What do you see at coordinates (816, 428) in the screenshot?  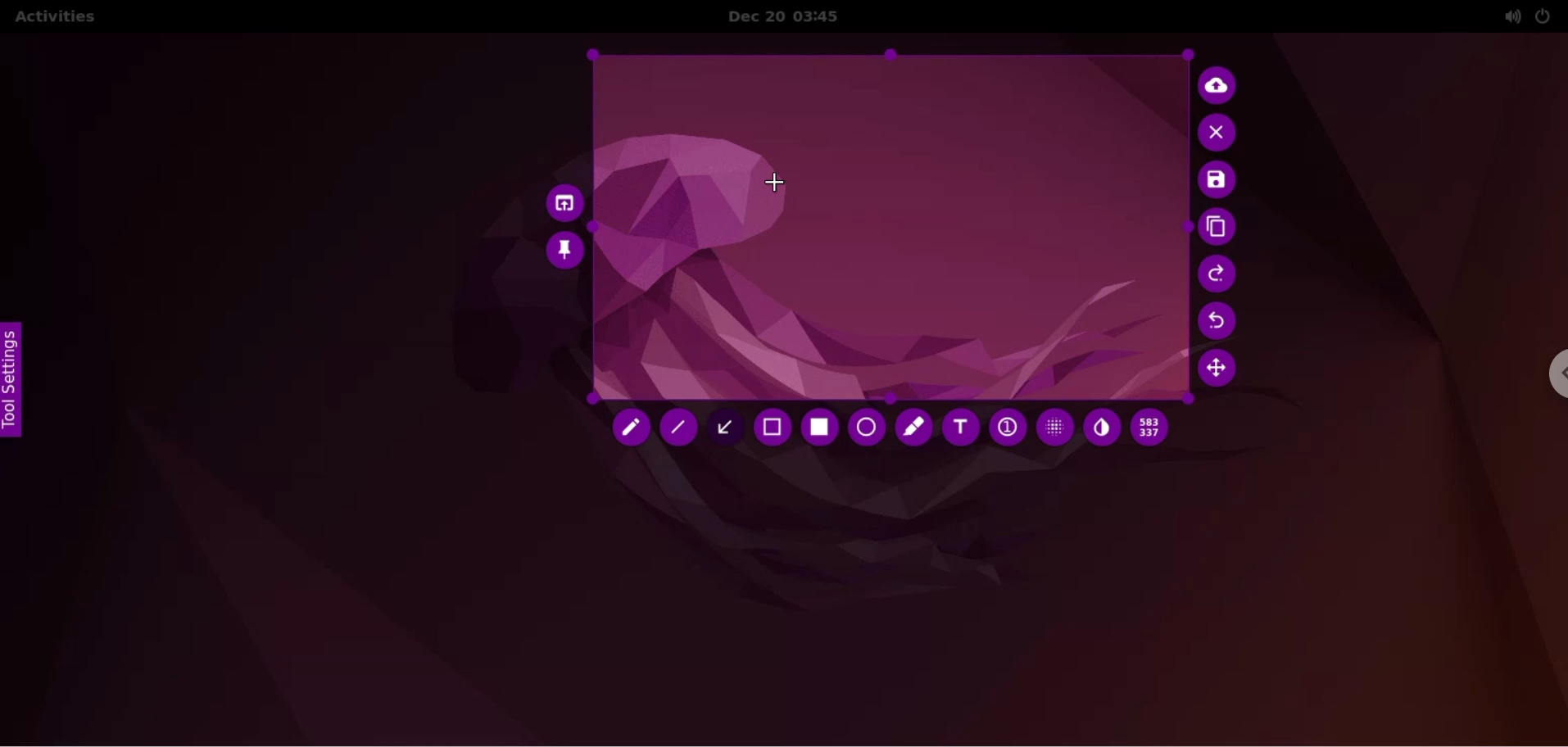 I see `rectangle tool` at bounding box center [816, 428].